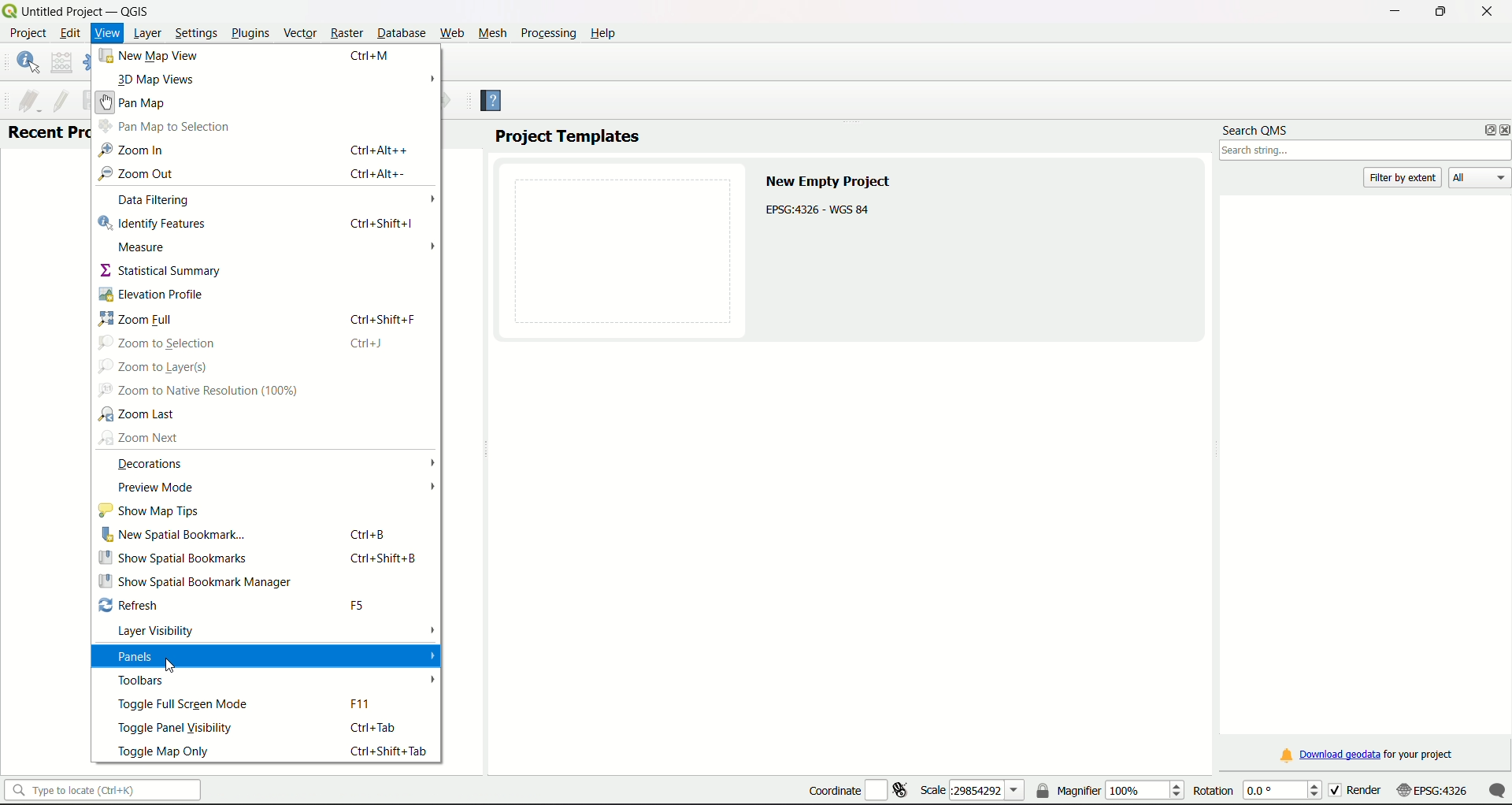 The height and width of the screenshot is (805, 1512). I want to click on All, so click(1480, 177).